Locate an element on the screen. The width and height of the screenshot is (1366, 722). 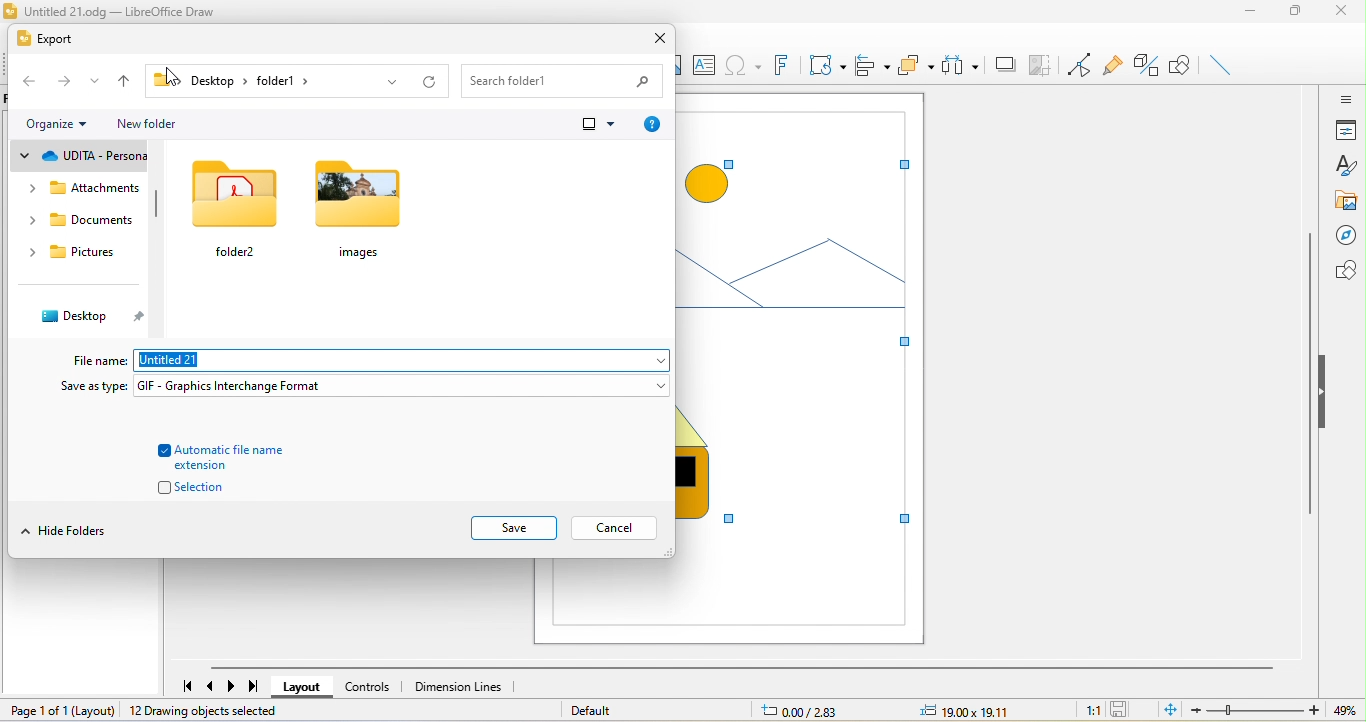
save is located at coordinates (513, 529).